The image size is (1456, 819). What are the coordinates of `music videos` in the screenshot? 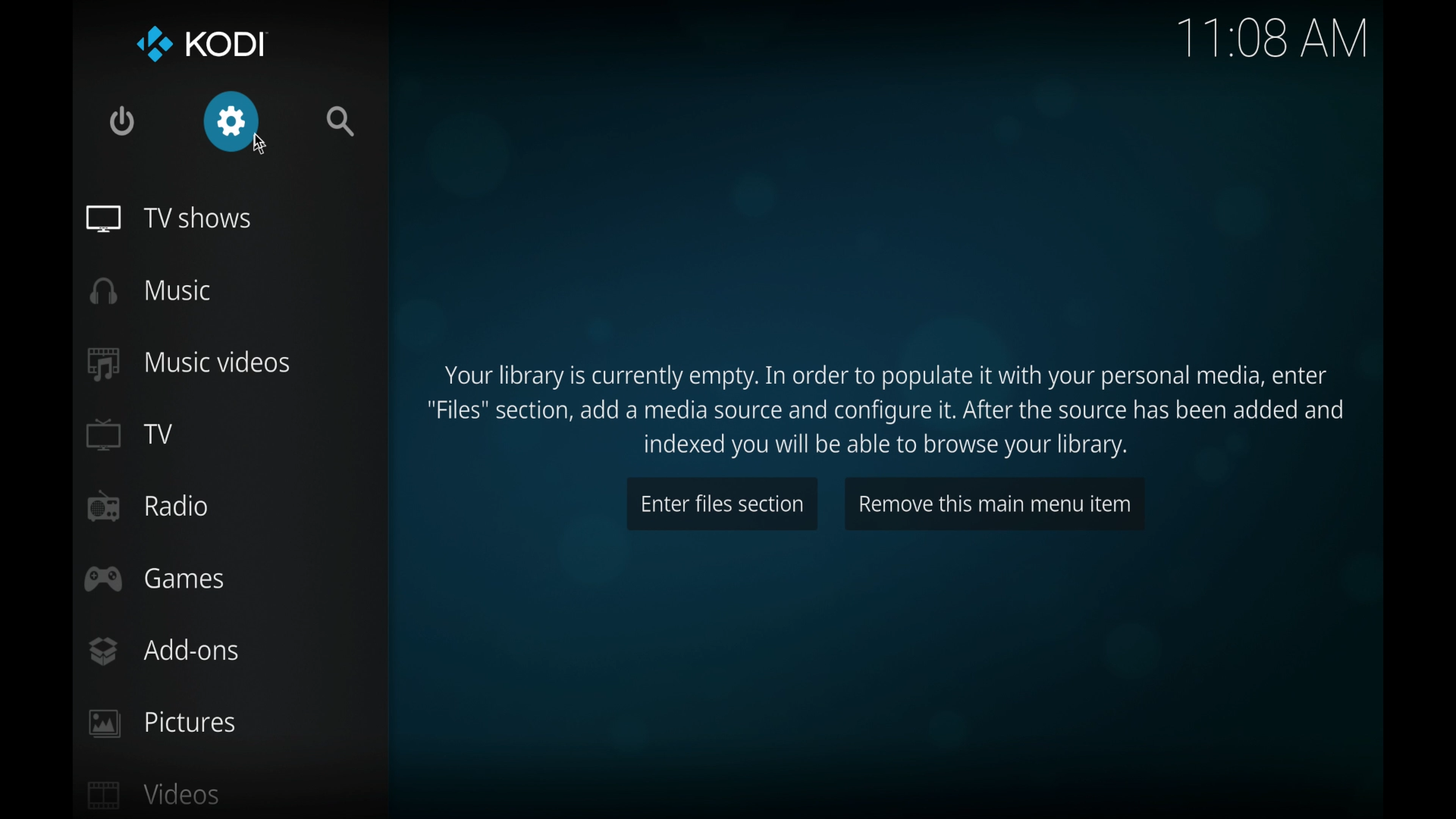 It's located at (190, 362).